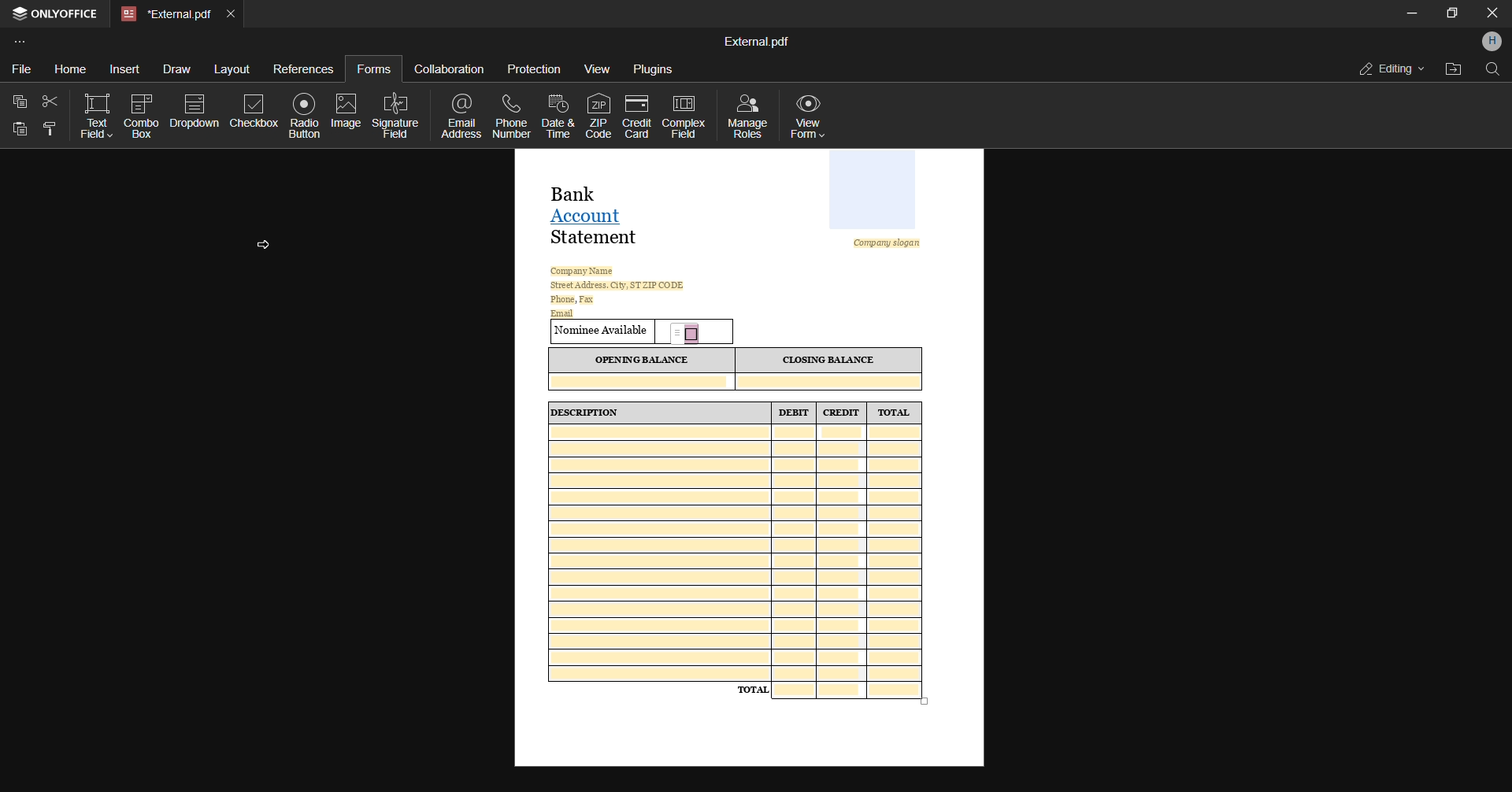  I want to click on copy style, so click(49, 129).